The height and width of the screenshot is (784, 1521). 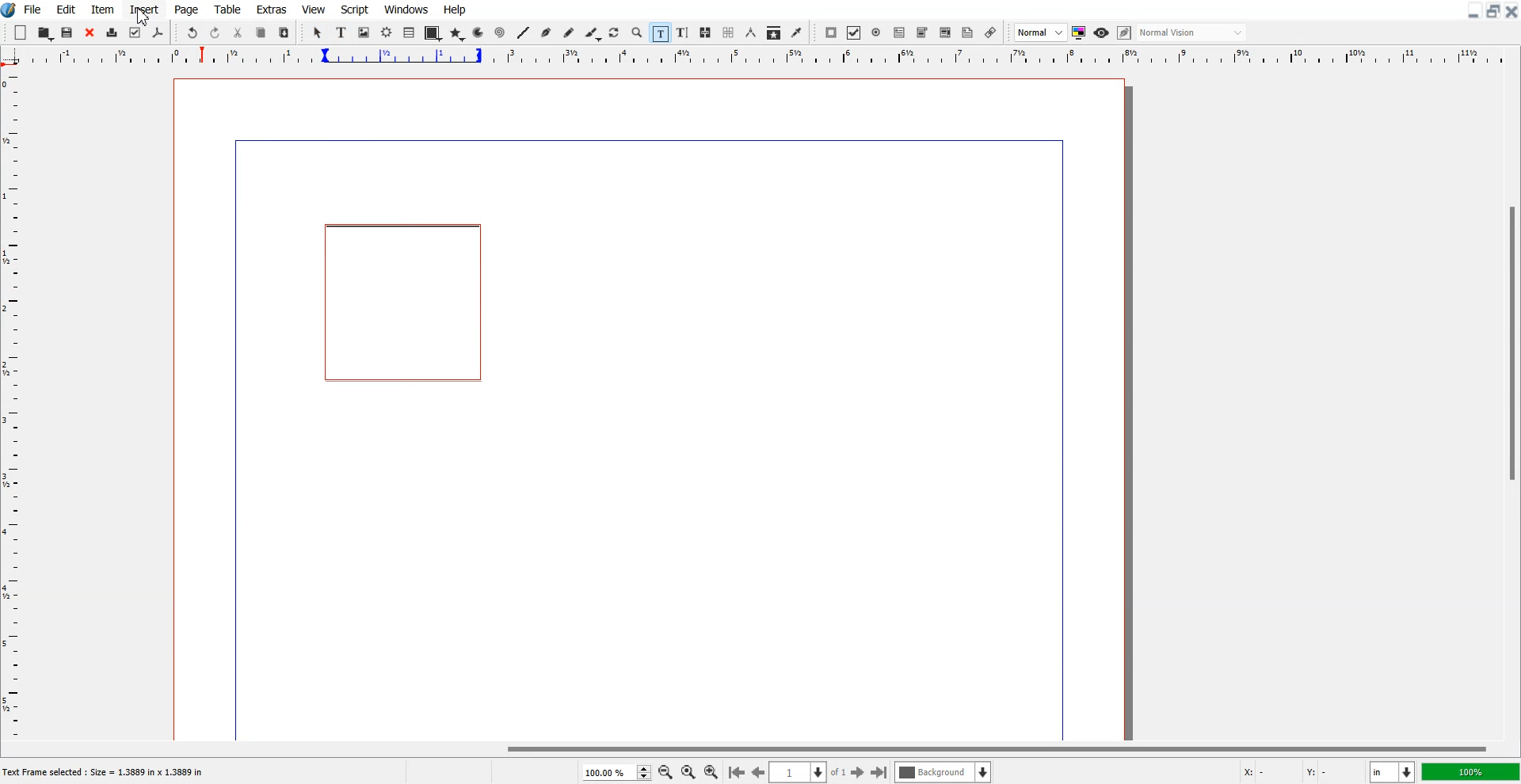 What do you see at coordinates (90, 33) in the screenshot?
I see `Close` at bounding box center [90, 33].